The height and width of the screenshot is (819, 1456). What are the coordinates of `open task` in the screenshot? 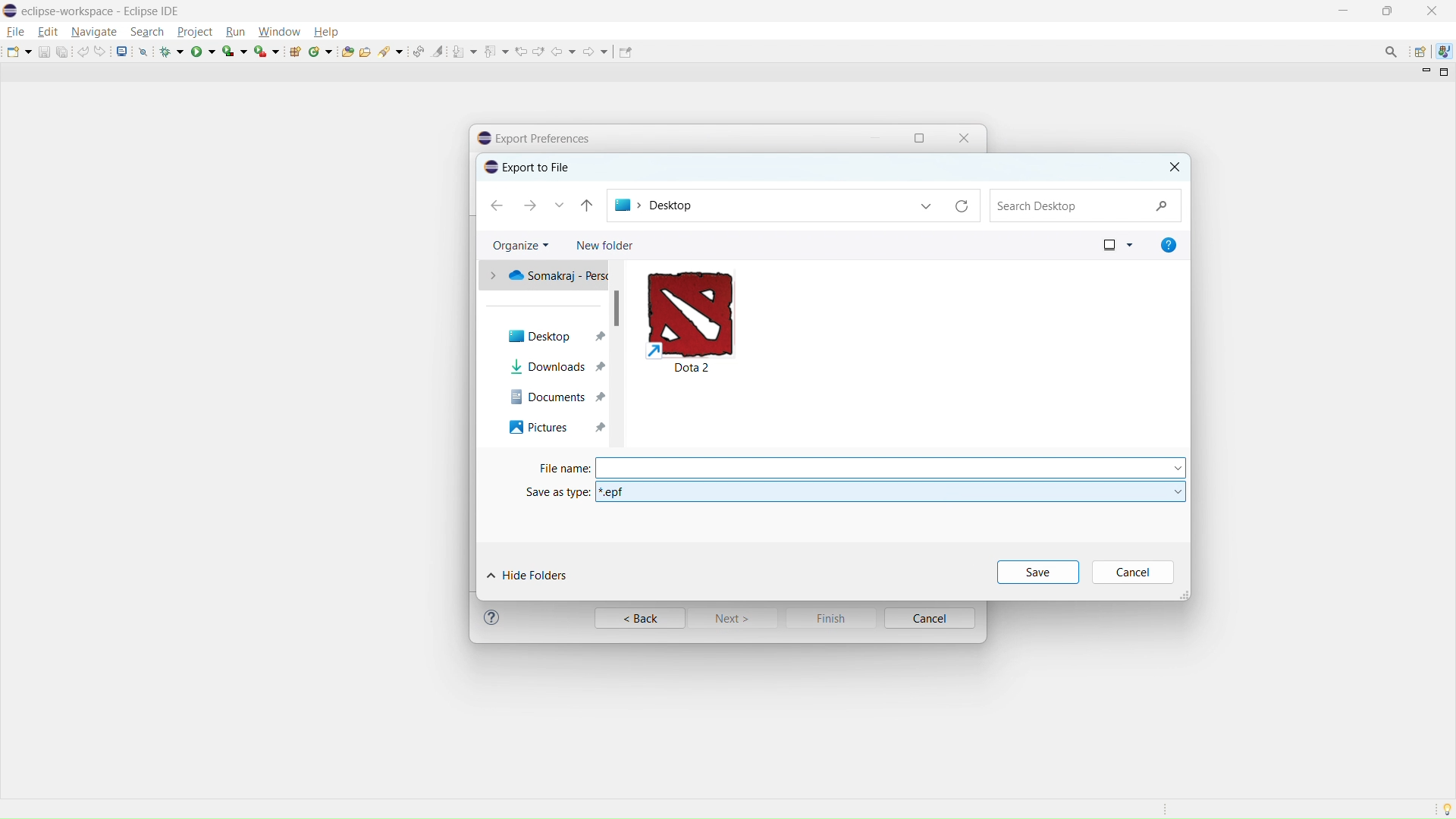 It's located at (365, 50).